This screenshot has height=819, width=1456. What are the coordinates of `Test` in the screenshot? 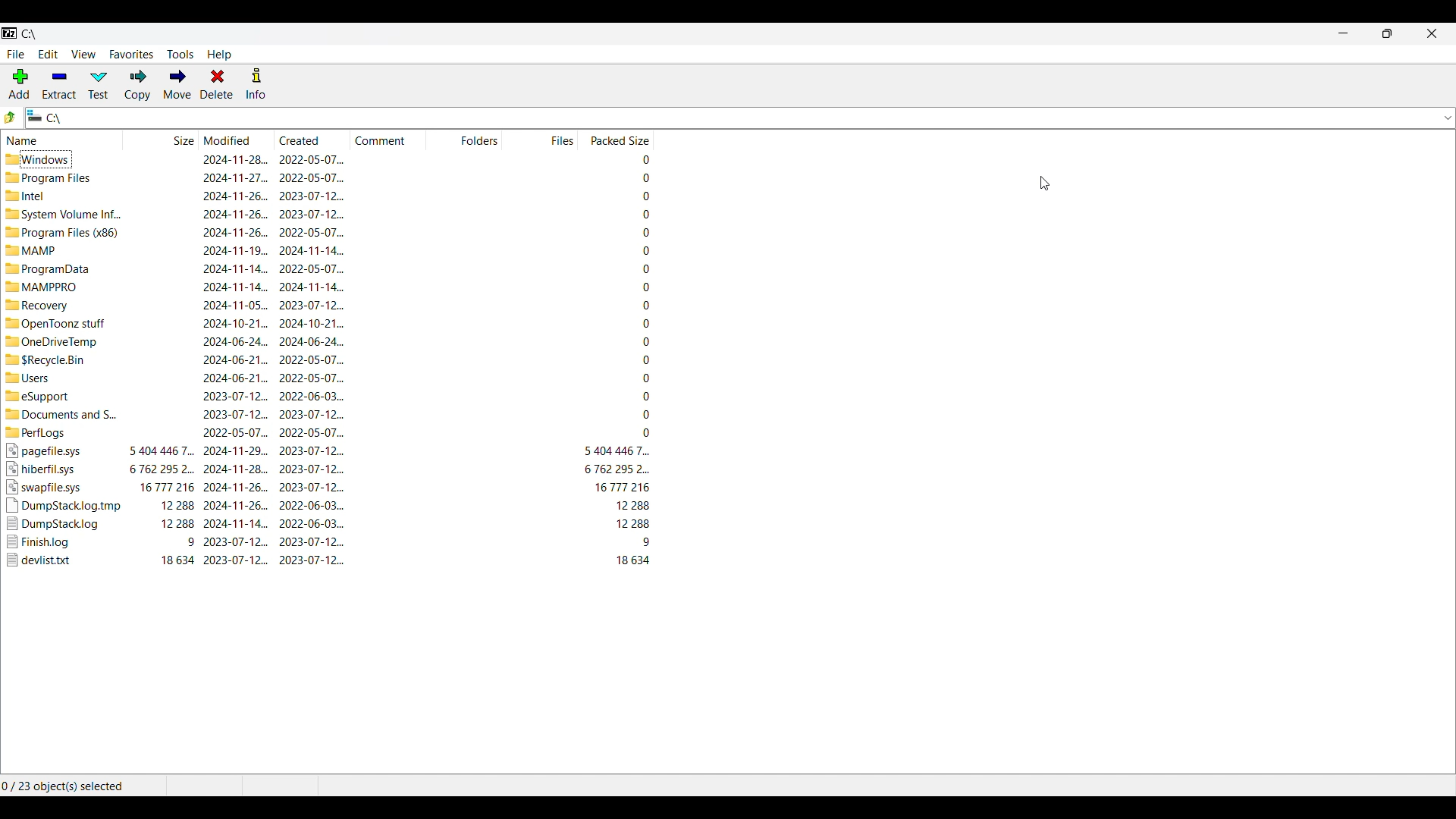 It's located at (99, 85).